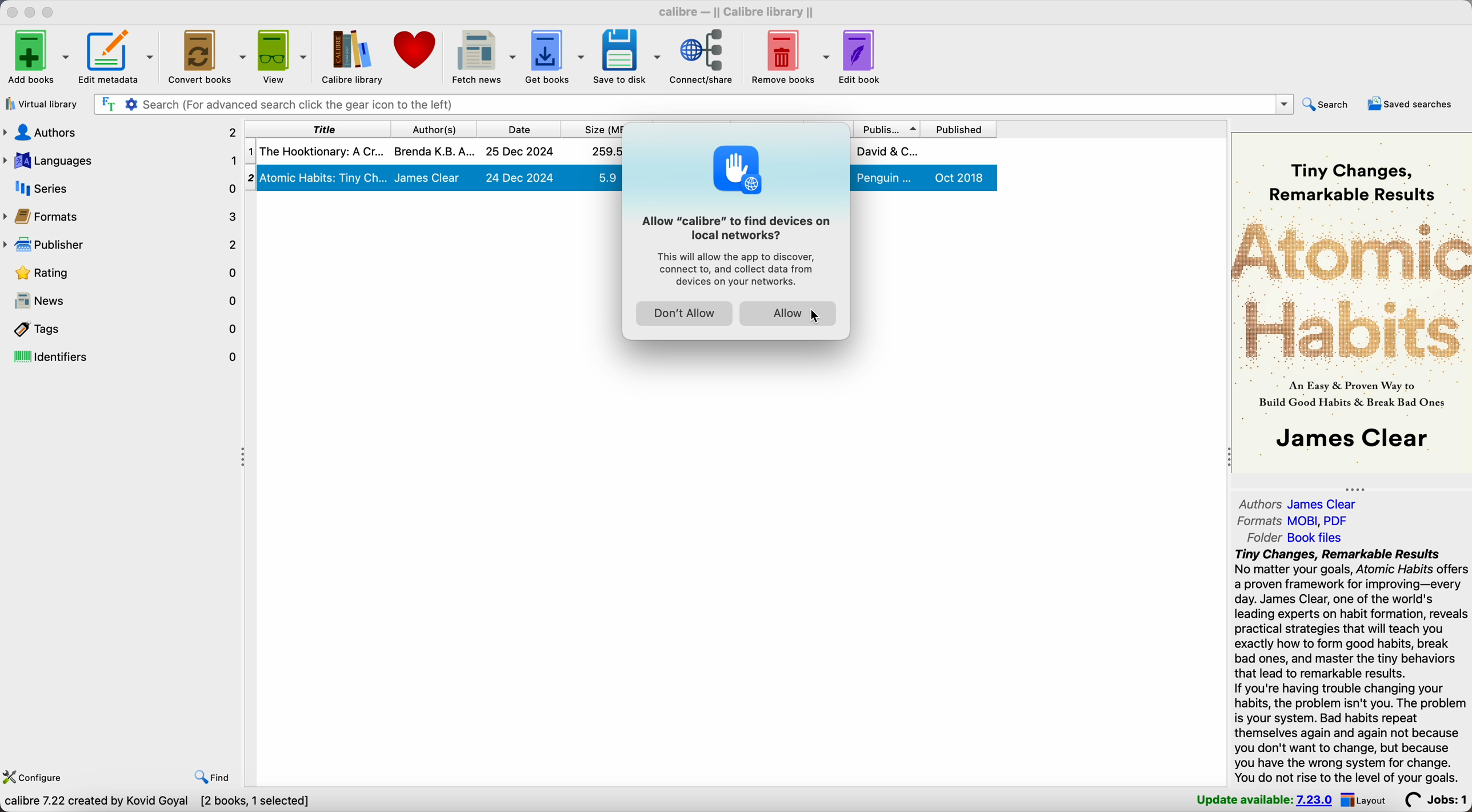  What do you see at coordinates (520, 177) in the screenshot?
I see `24 Dec 2024` at bounding box center [520, 177].